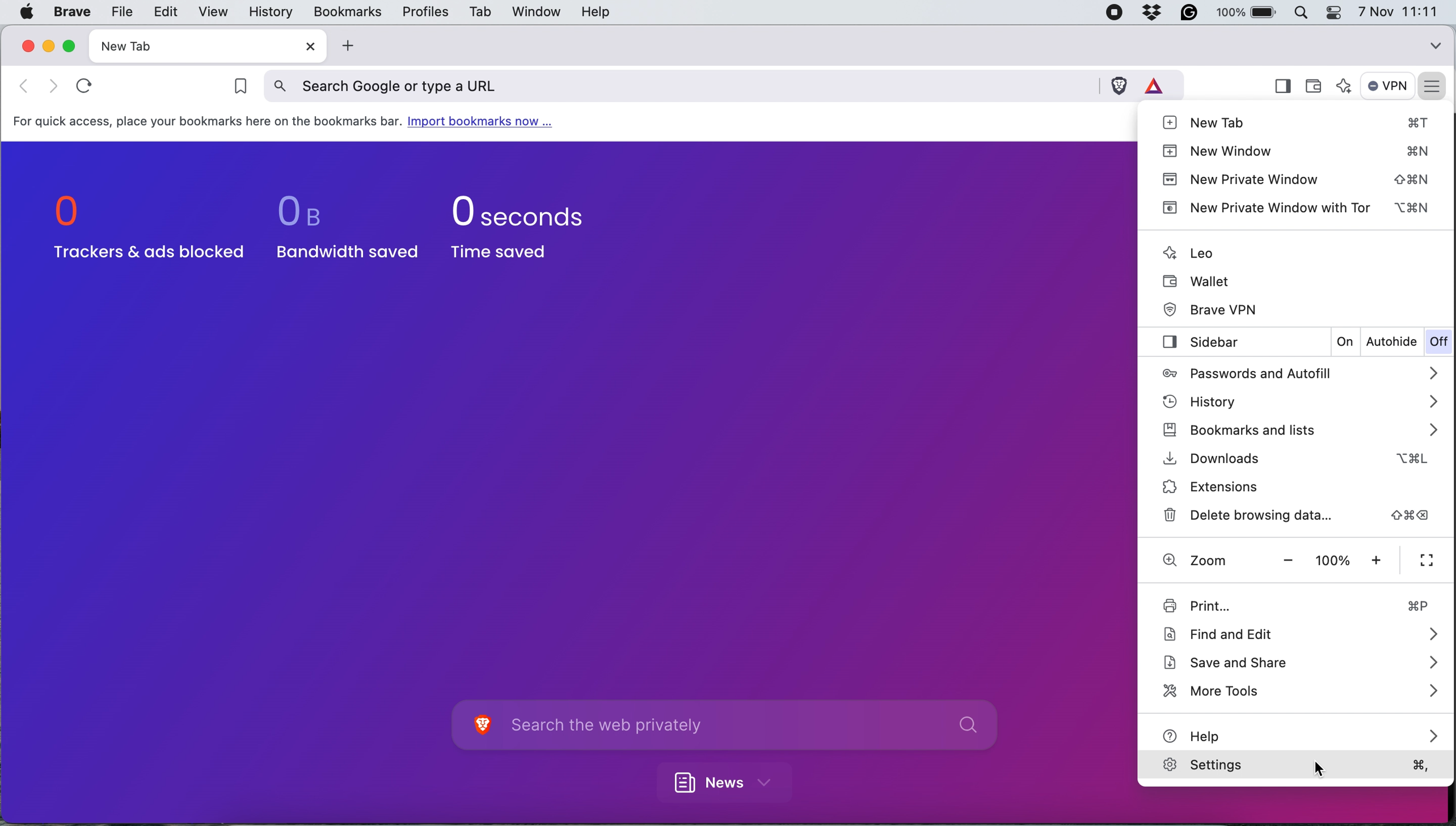 The image size is (1456, 826). Describe the element at coordinates (26, 85) in the screenshot. I see `click to go forward, hold to see histroy` at that location.